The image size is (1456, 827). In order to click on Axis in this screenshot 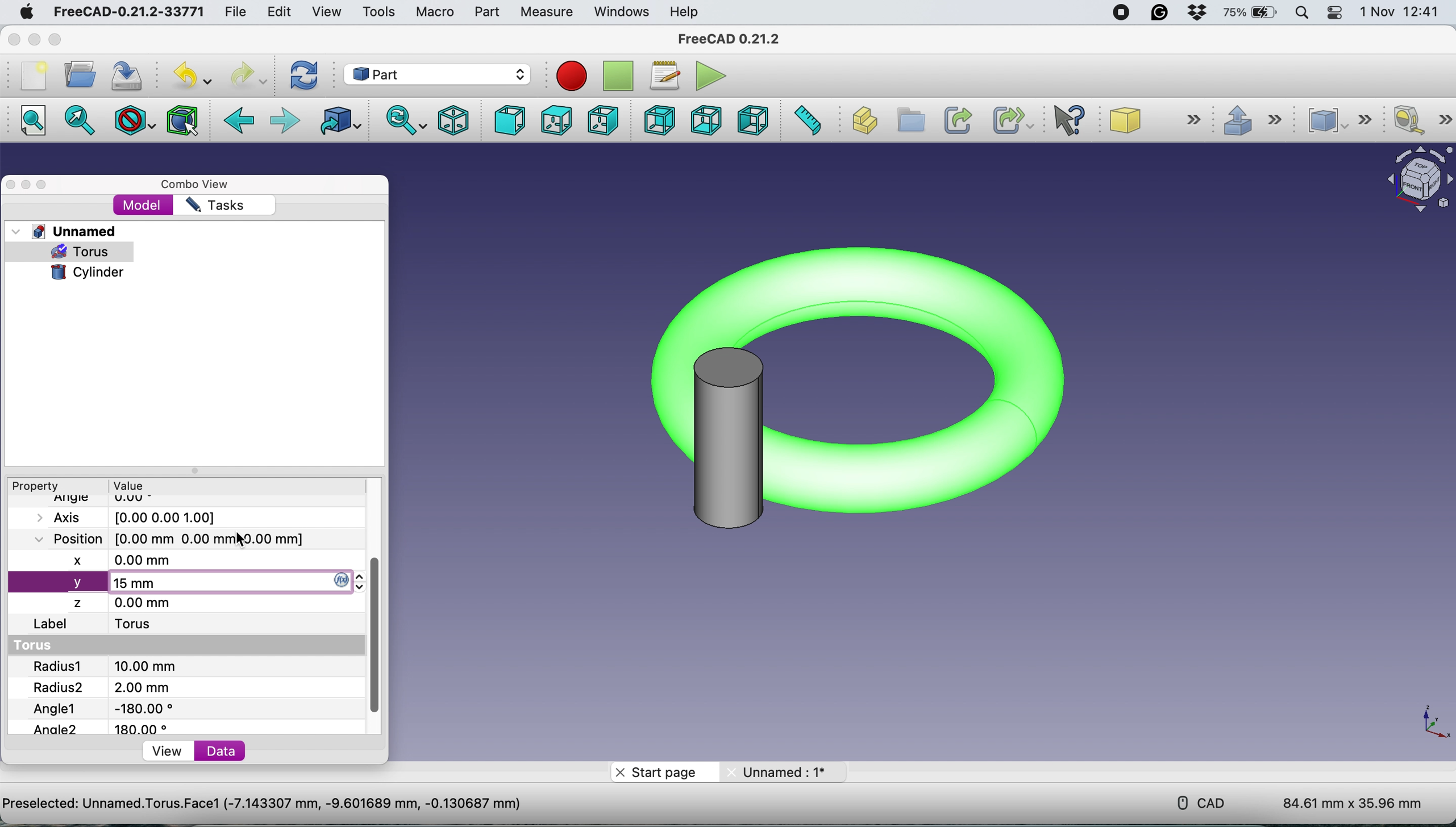, I will do `click(139, 517)`.